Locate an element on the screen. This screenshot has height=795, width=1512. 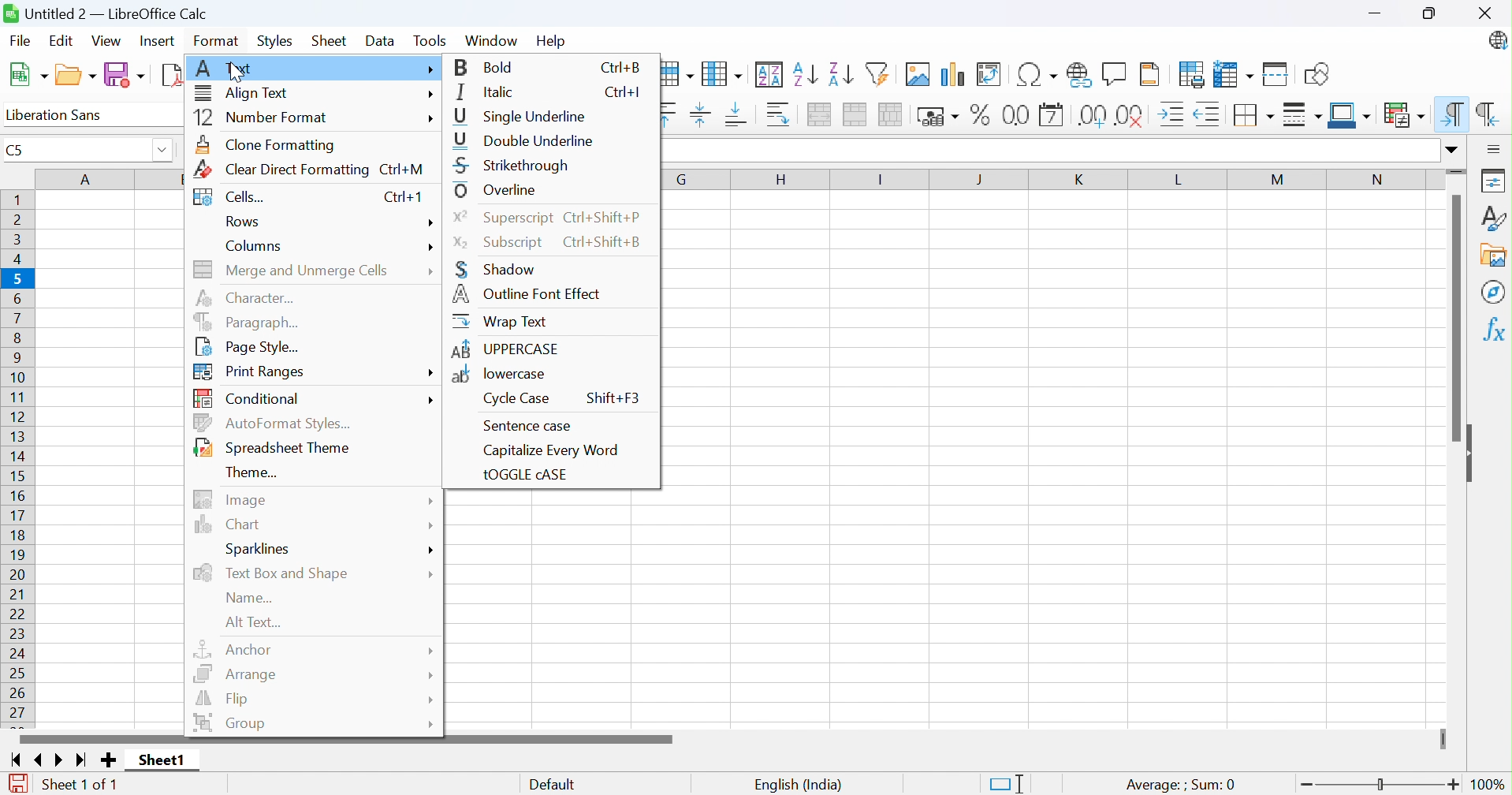
Character is located at coordinates (246, 299).